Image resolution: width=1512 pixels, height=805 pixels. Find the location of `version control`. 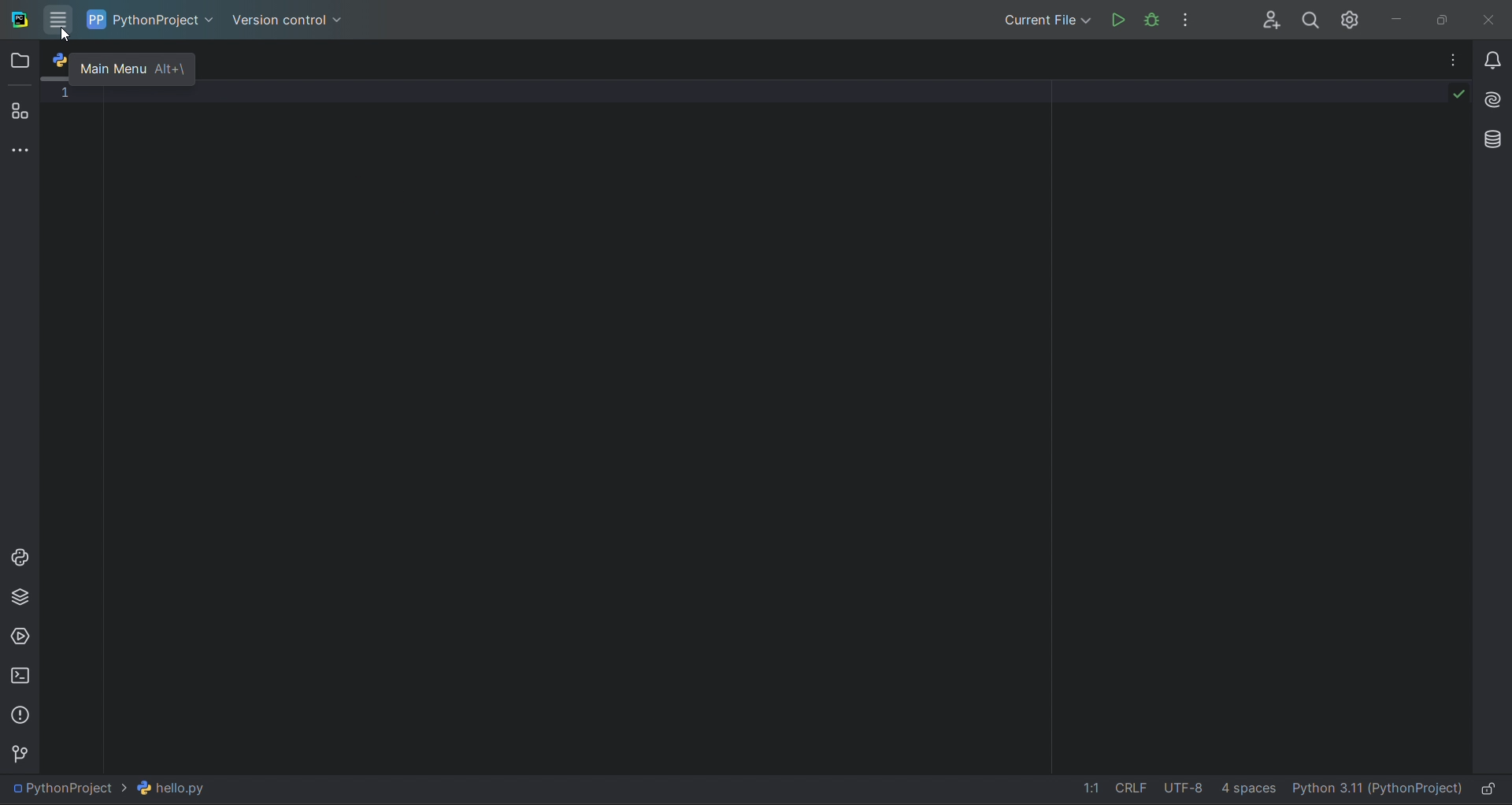

version control is located at coordinates (24, 752).